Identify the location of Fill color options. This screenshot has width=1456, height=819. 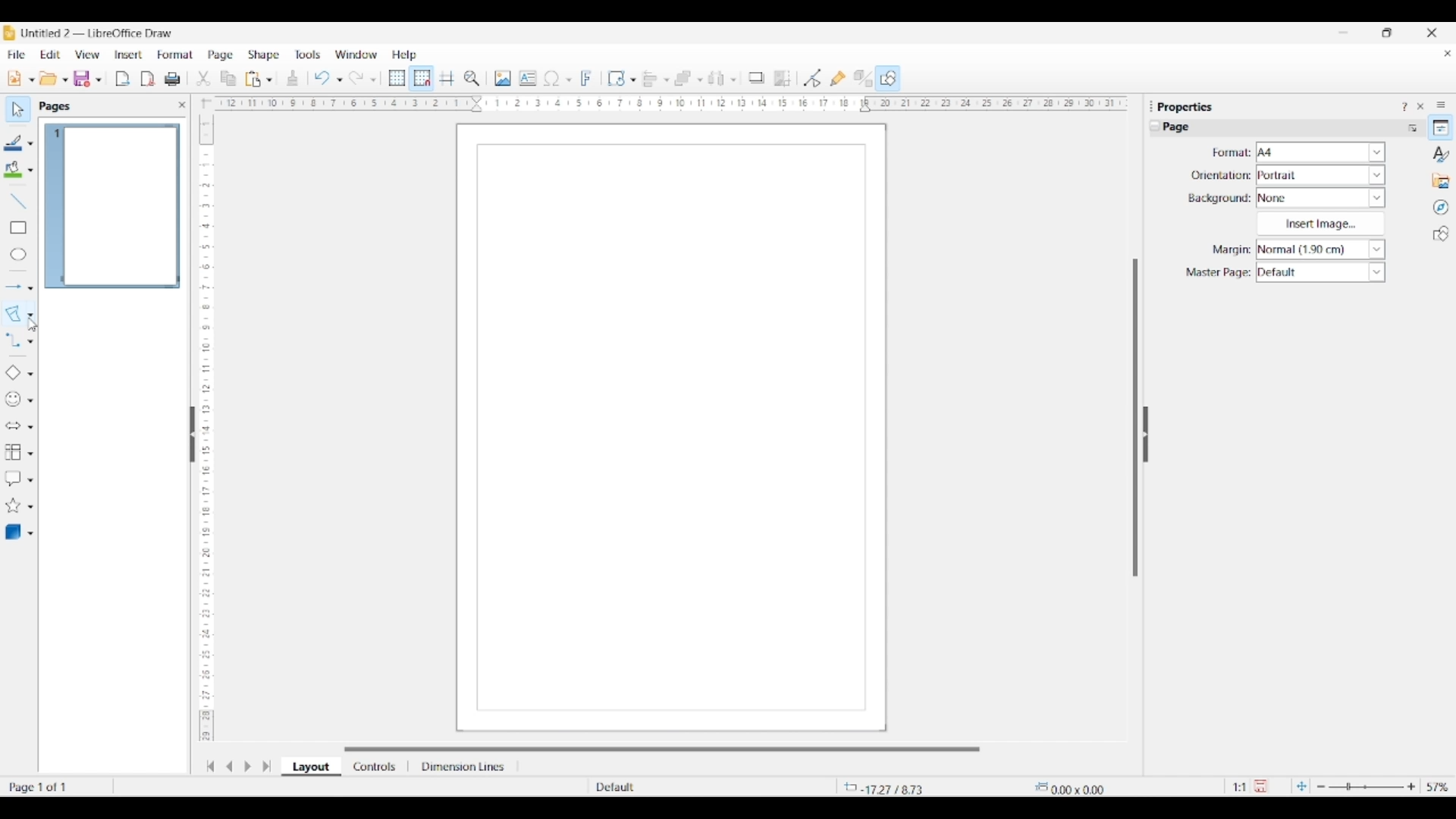
(30, 171).